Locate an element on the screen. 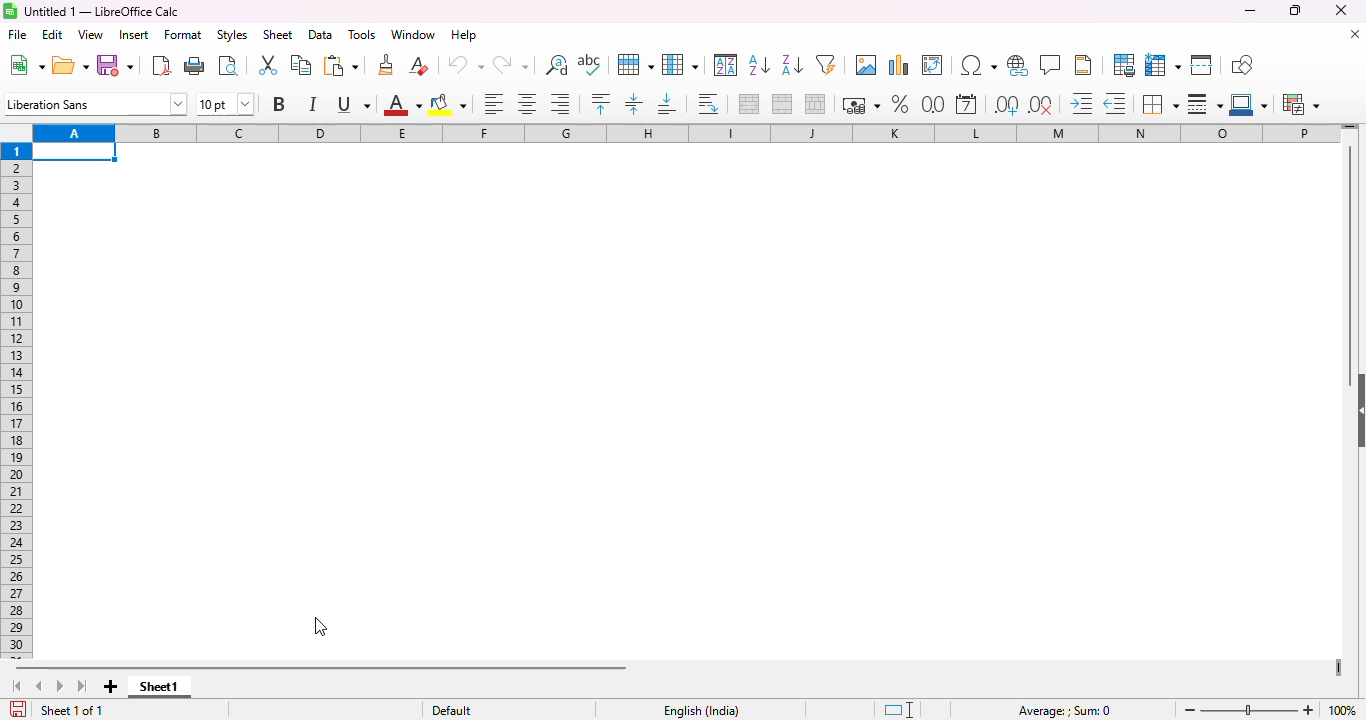 This screenshot has width=1366, height=720. underline is located at coordinates (353, 104).